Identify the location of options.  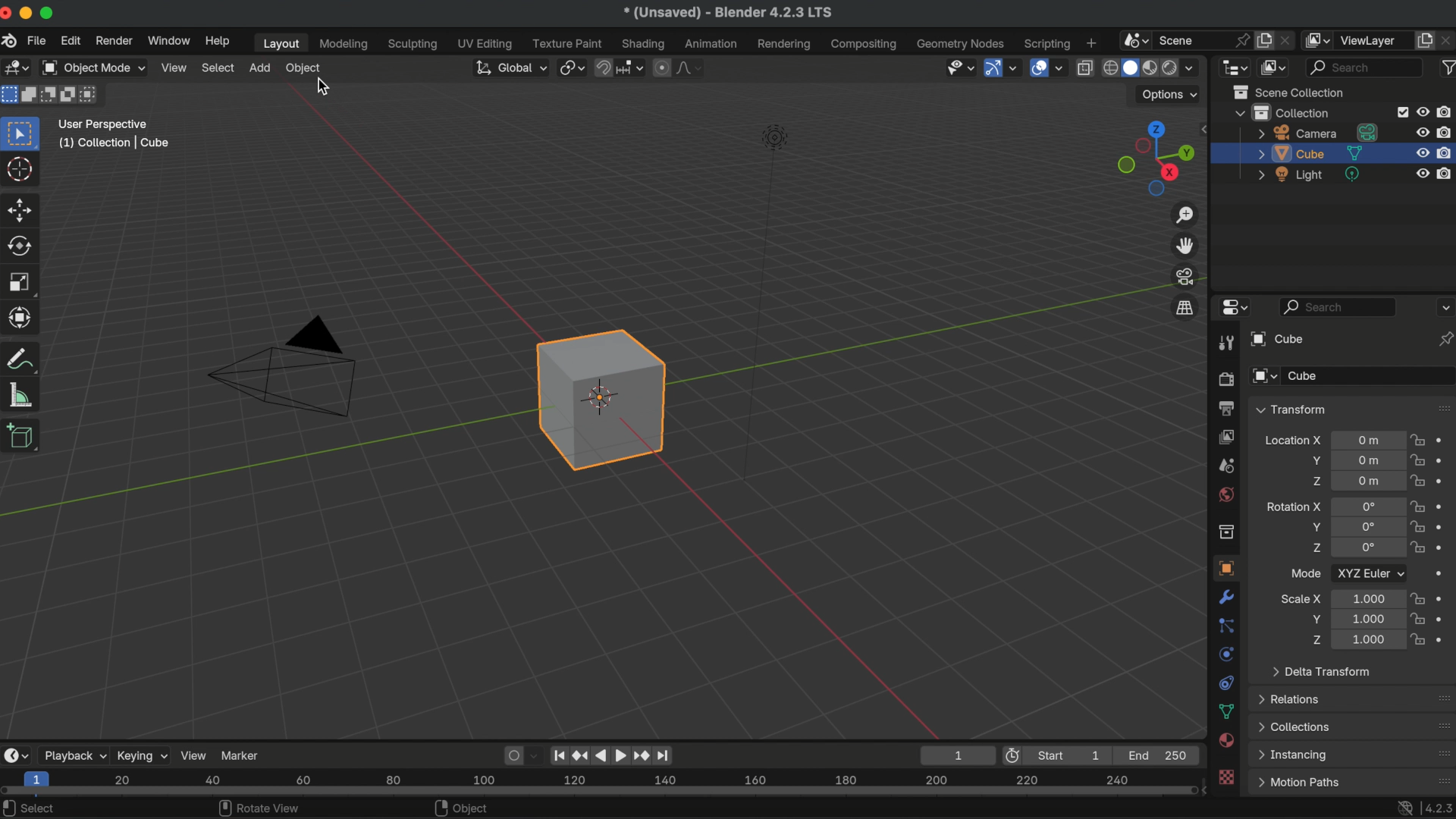
(1444, 306).